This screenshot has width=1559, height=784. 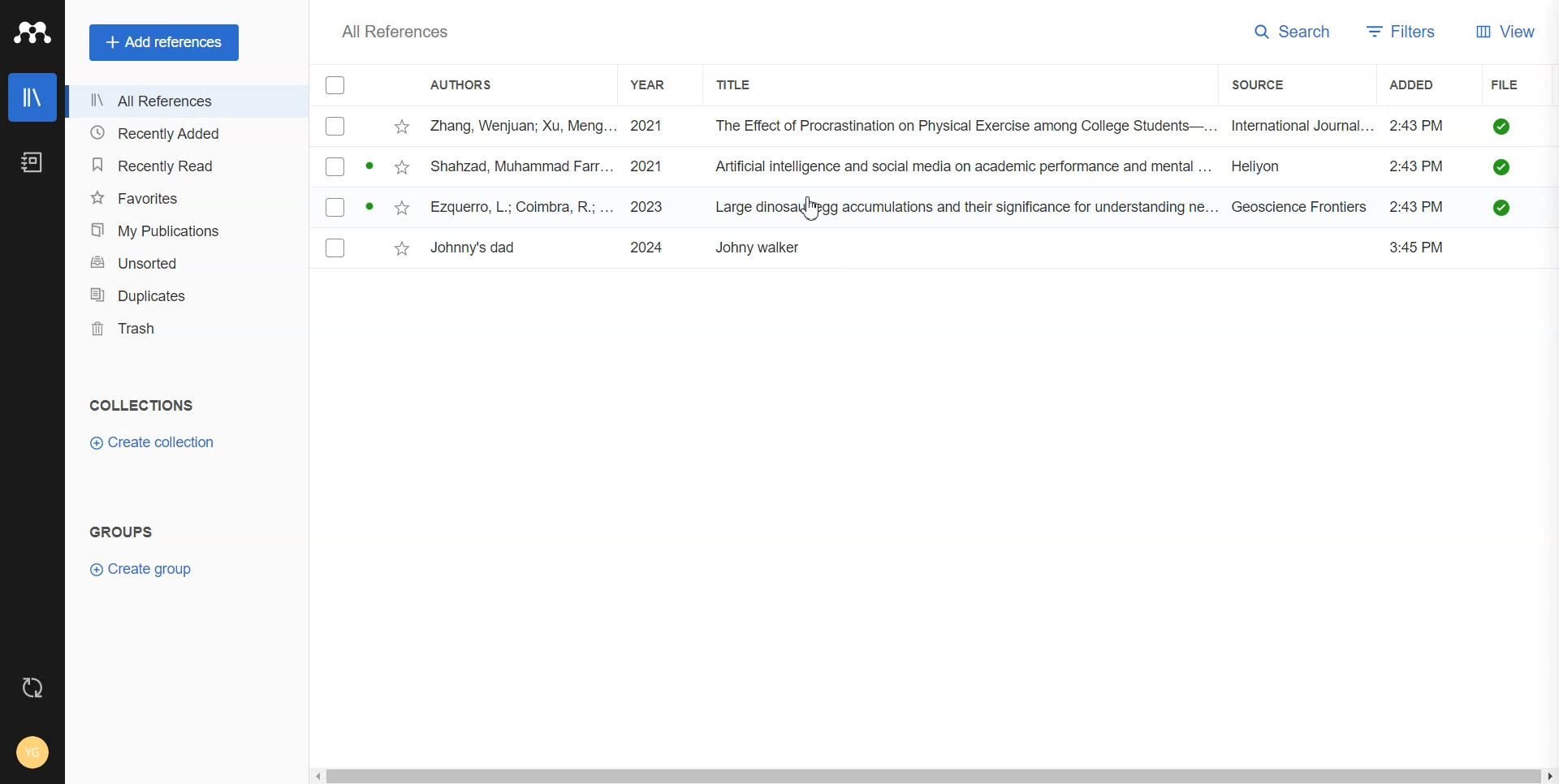 I want to click on Johnny Waker, so click(x=762, y=248).